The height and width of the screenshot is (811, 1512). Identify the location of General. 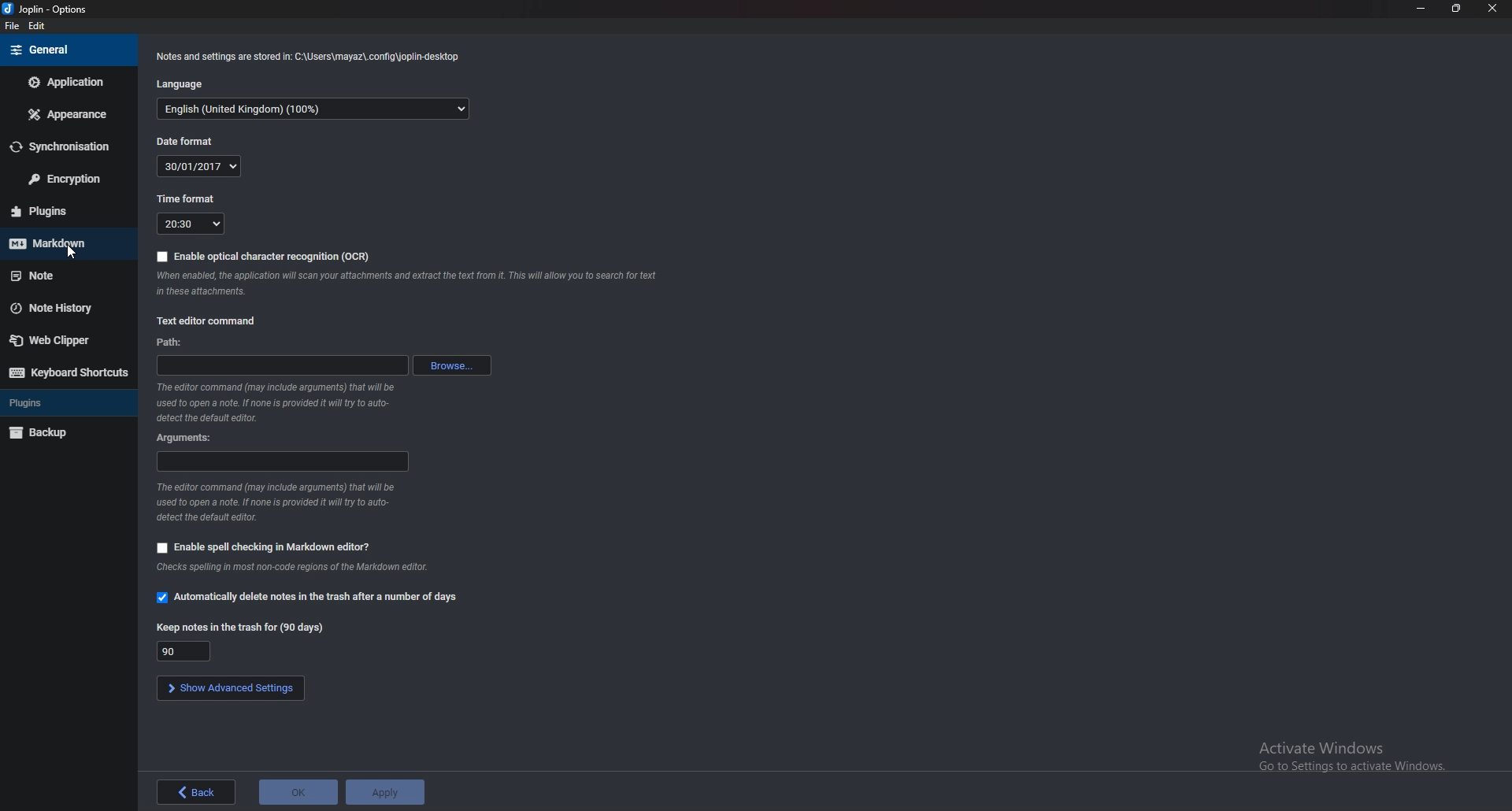
(62, 50).